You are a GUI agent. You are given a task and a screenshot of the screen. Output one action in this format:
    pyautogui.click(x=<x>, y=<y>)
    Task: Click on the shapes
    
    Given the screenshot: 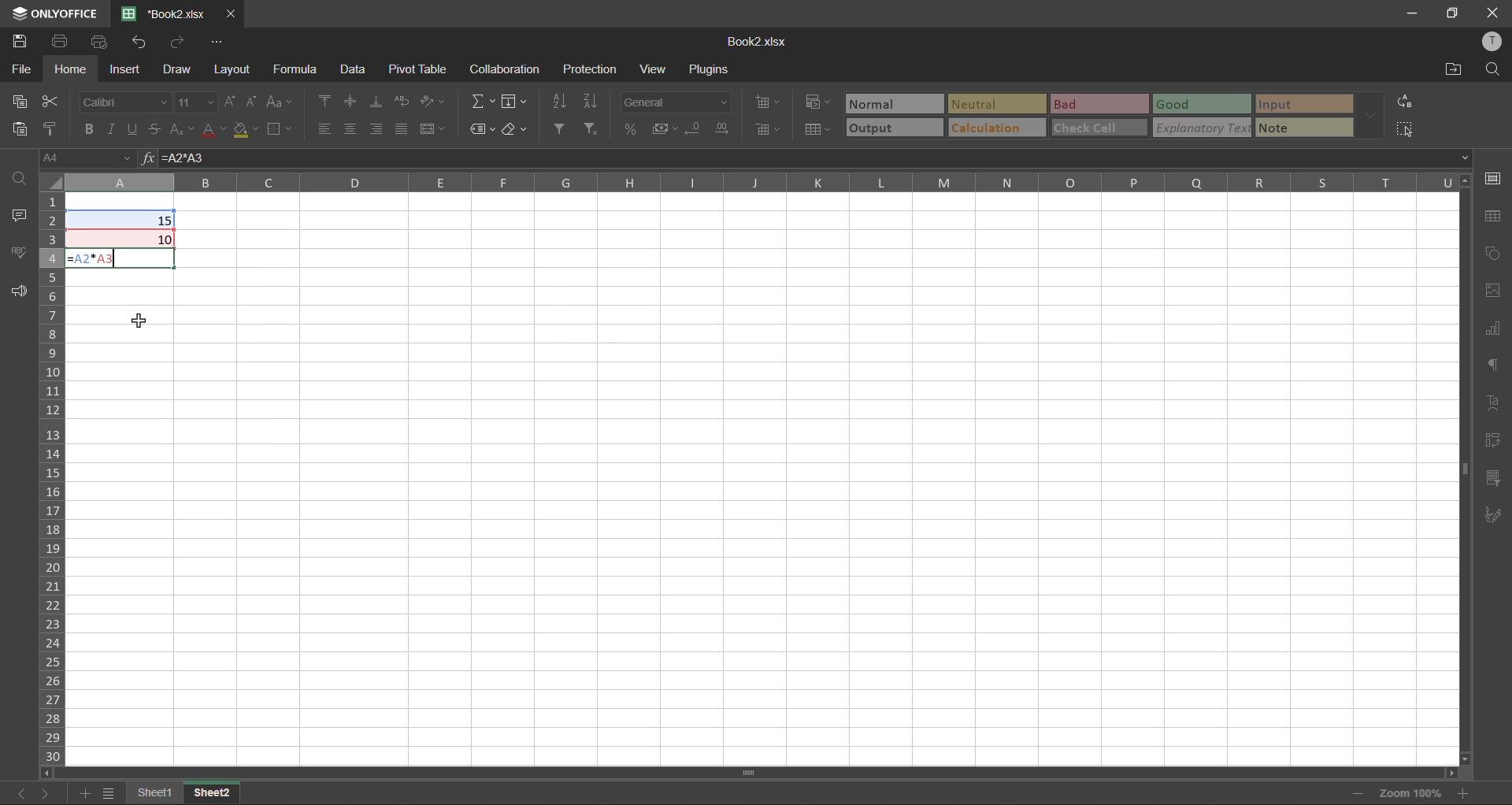 What is the action you would take?
    pyautogui.click(x=1493, y=253)
    